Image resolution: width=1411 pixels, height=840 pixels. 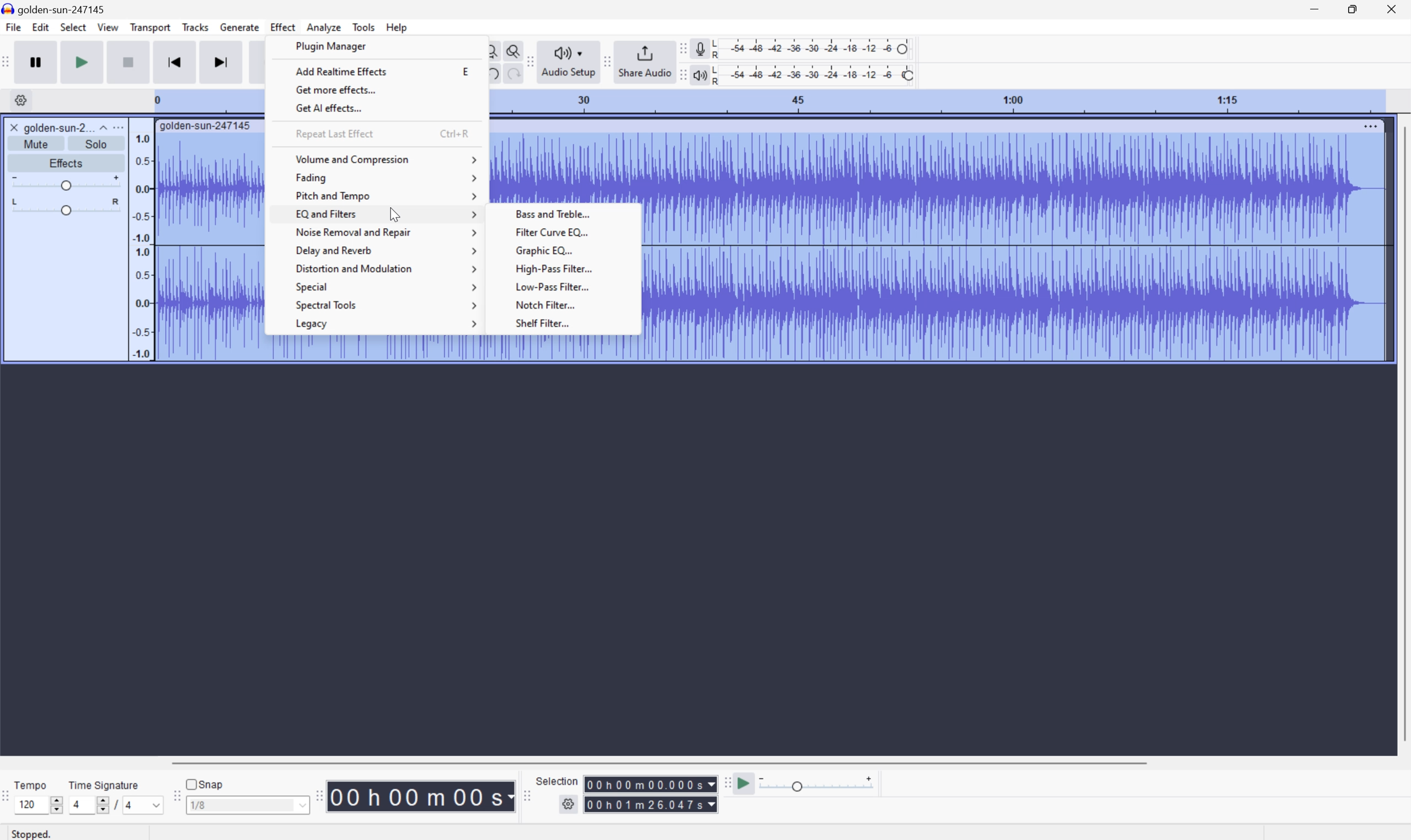 I want to click on Undo, so click(x=491, y=74).